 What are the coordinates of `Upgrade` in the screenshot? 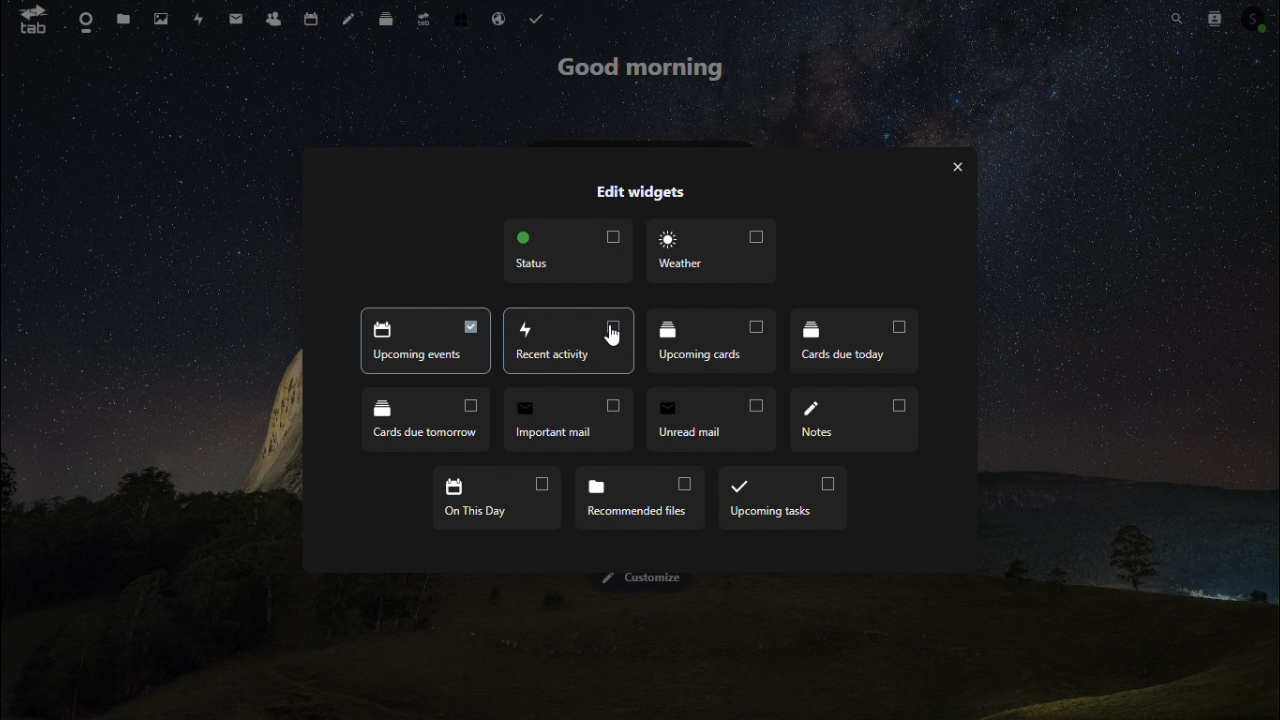 It's located at (424, 16).